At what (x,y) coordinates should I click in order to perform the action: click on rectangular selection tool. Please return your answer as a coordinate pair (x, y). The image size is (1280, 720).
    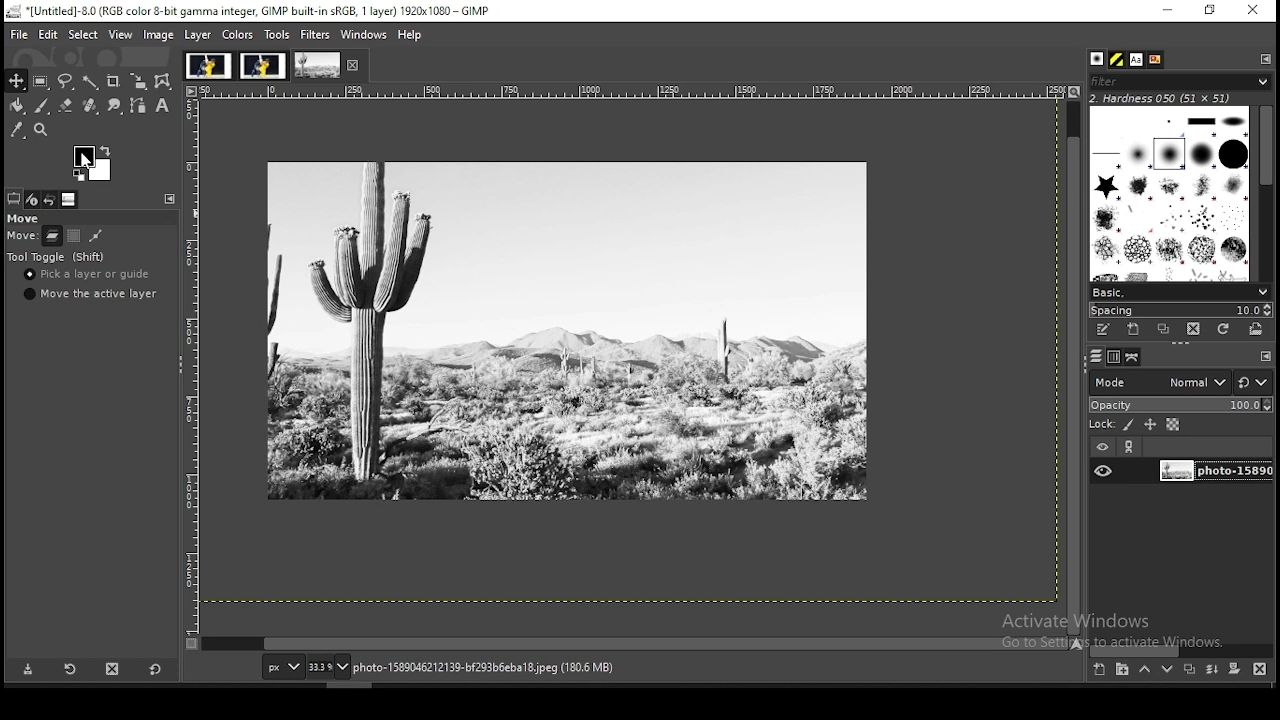
    Looking at the image, I should click on (41, 81).